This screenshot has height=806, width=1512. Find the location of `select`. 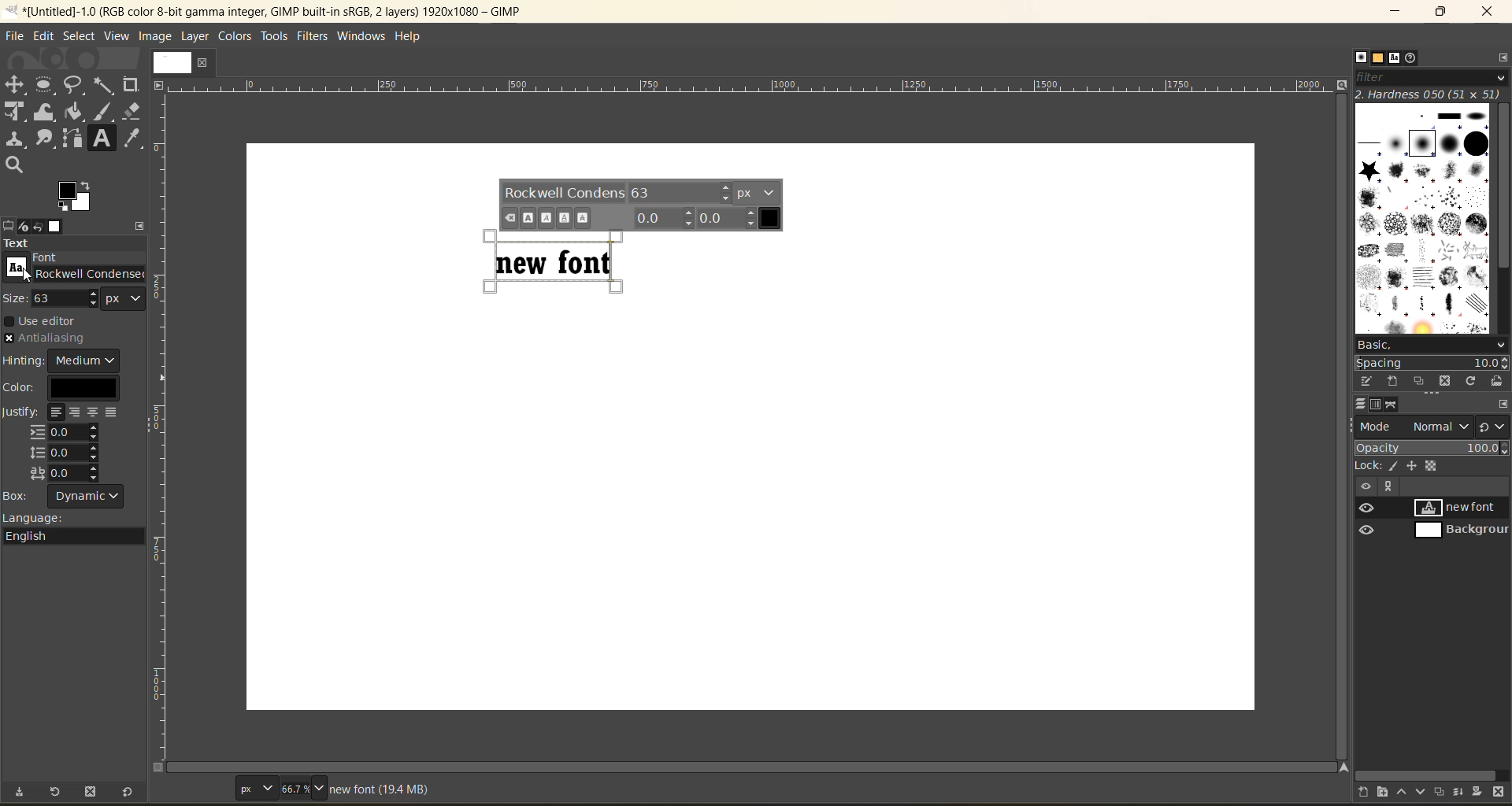

select is located at coordinates (80, 38).